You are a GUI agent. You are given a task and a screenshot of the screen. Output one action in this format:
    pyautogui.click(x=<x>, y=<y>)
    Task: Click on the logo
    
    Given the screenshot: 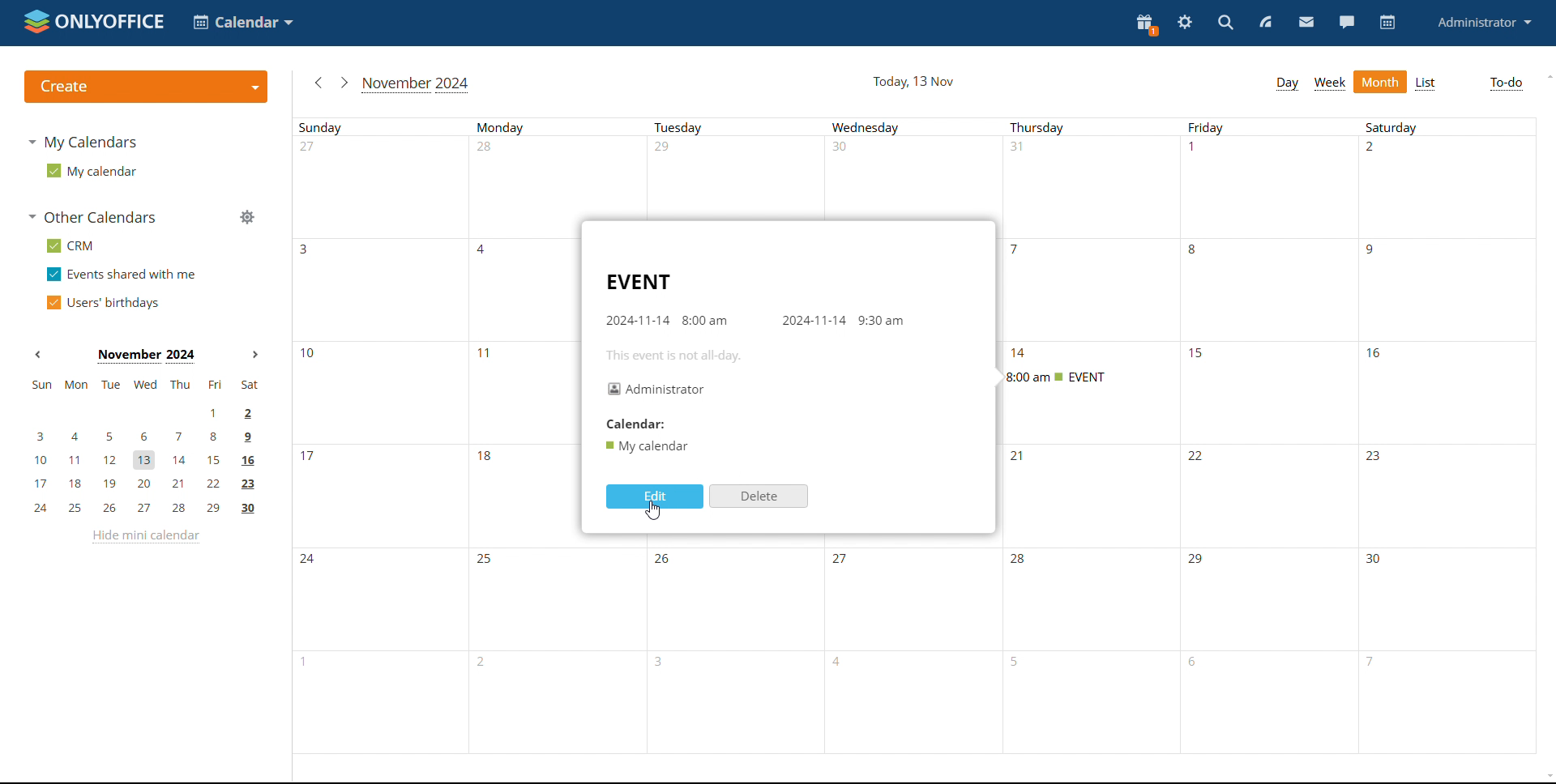 What is the action you would take?
    pyautogui.click(x=95, y=23)
    